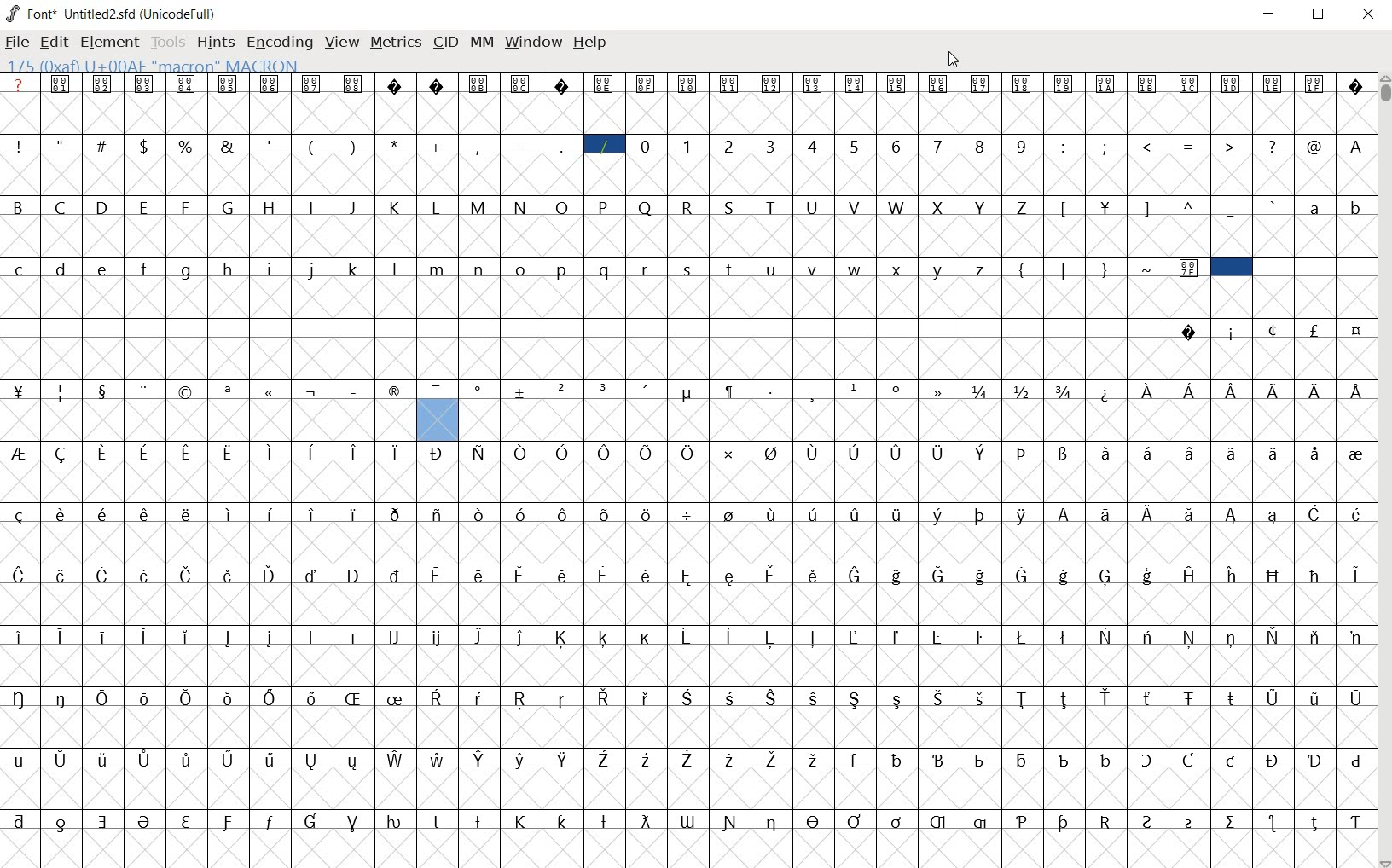  Describe the element at coordinates (273, 206) in the screenshot. I see `H` at that location.